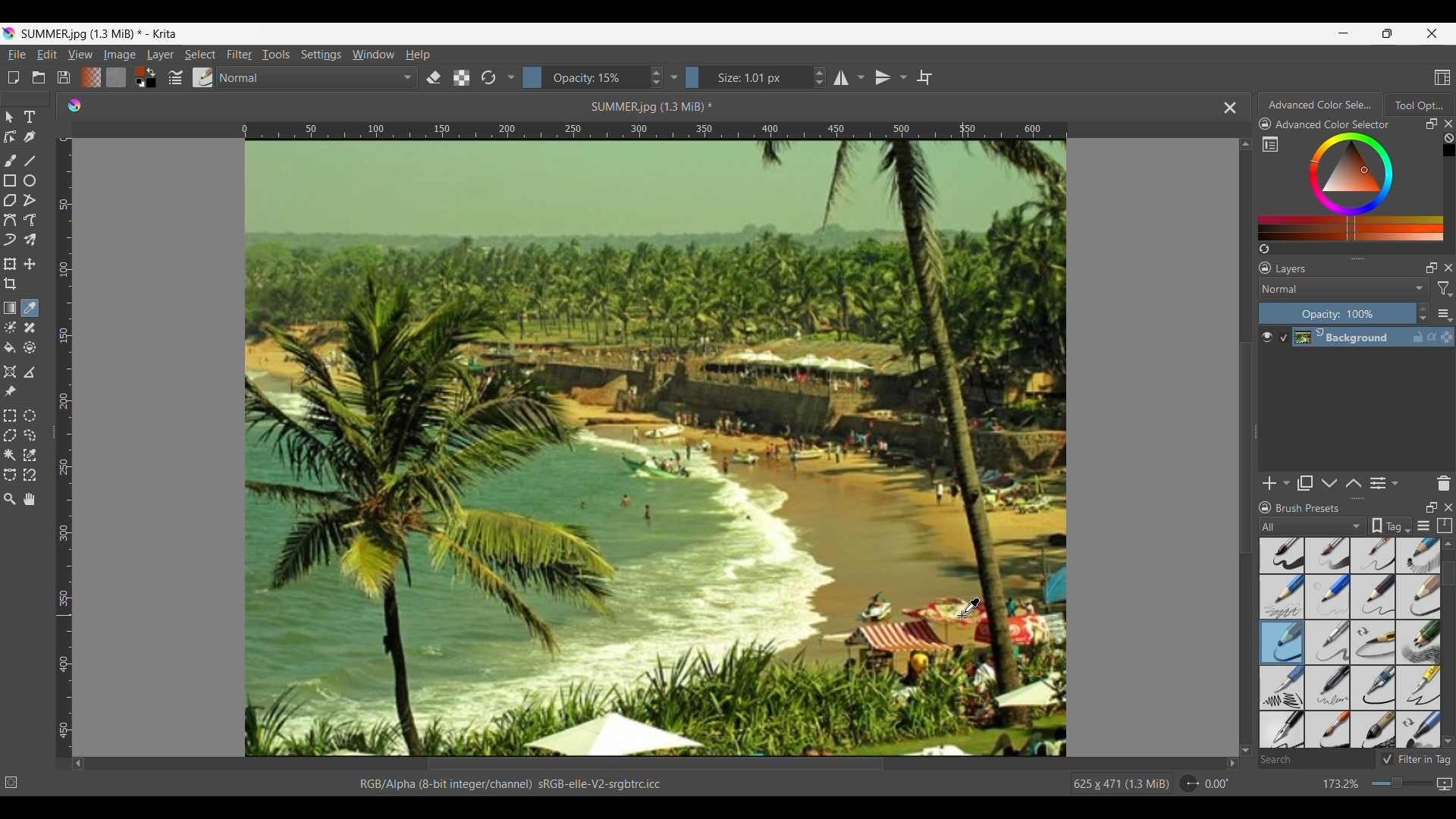 The width and height of the screenshot is (1456, 819). I want to click on Rectangle tool, so click(11, 180).